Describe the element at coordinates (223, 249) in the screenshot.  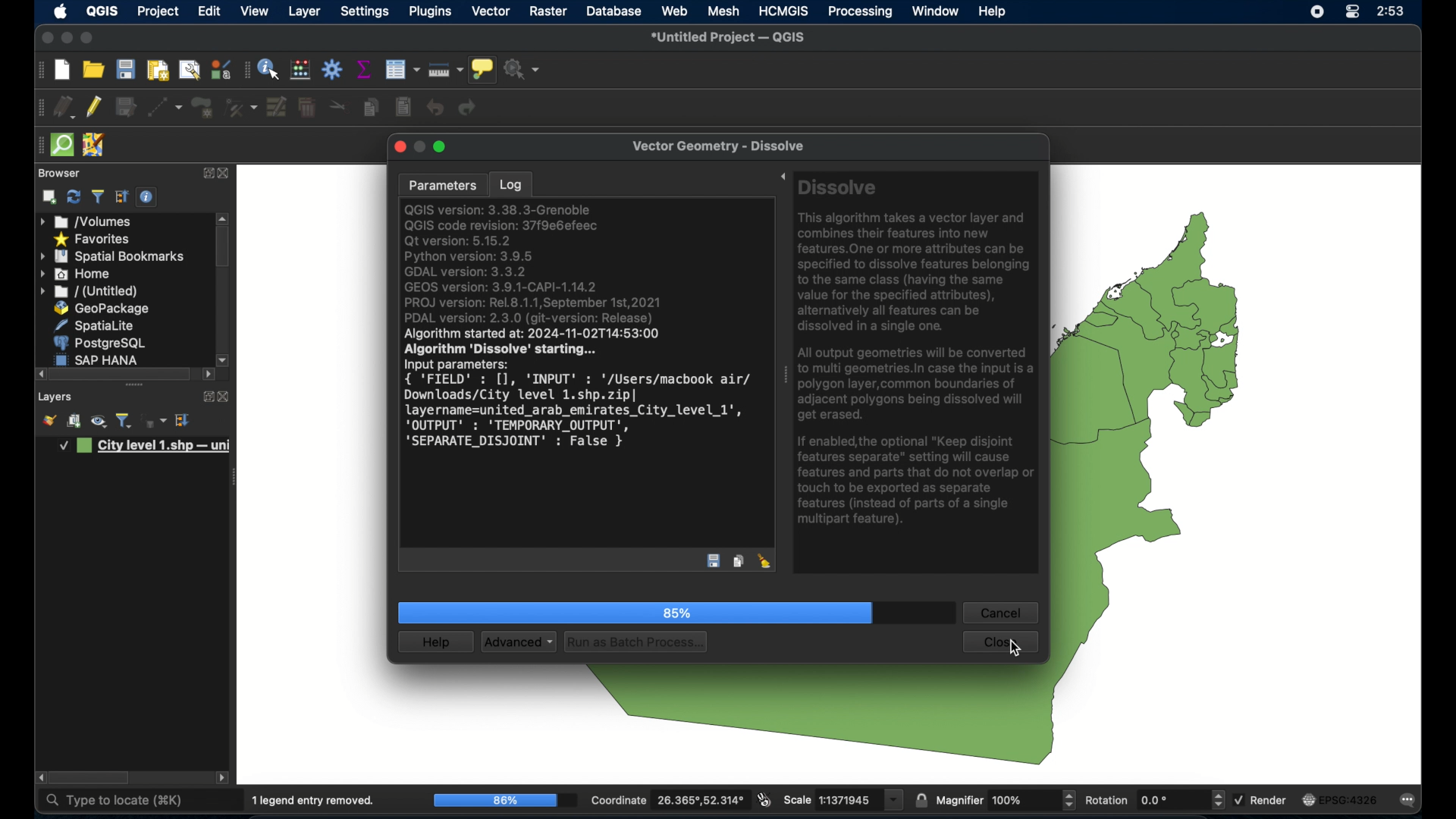
I see `scroll box` at that location.